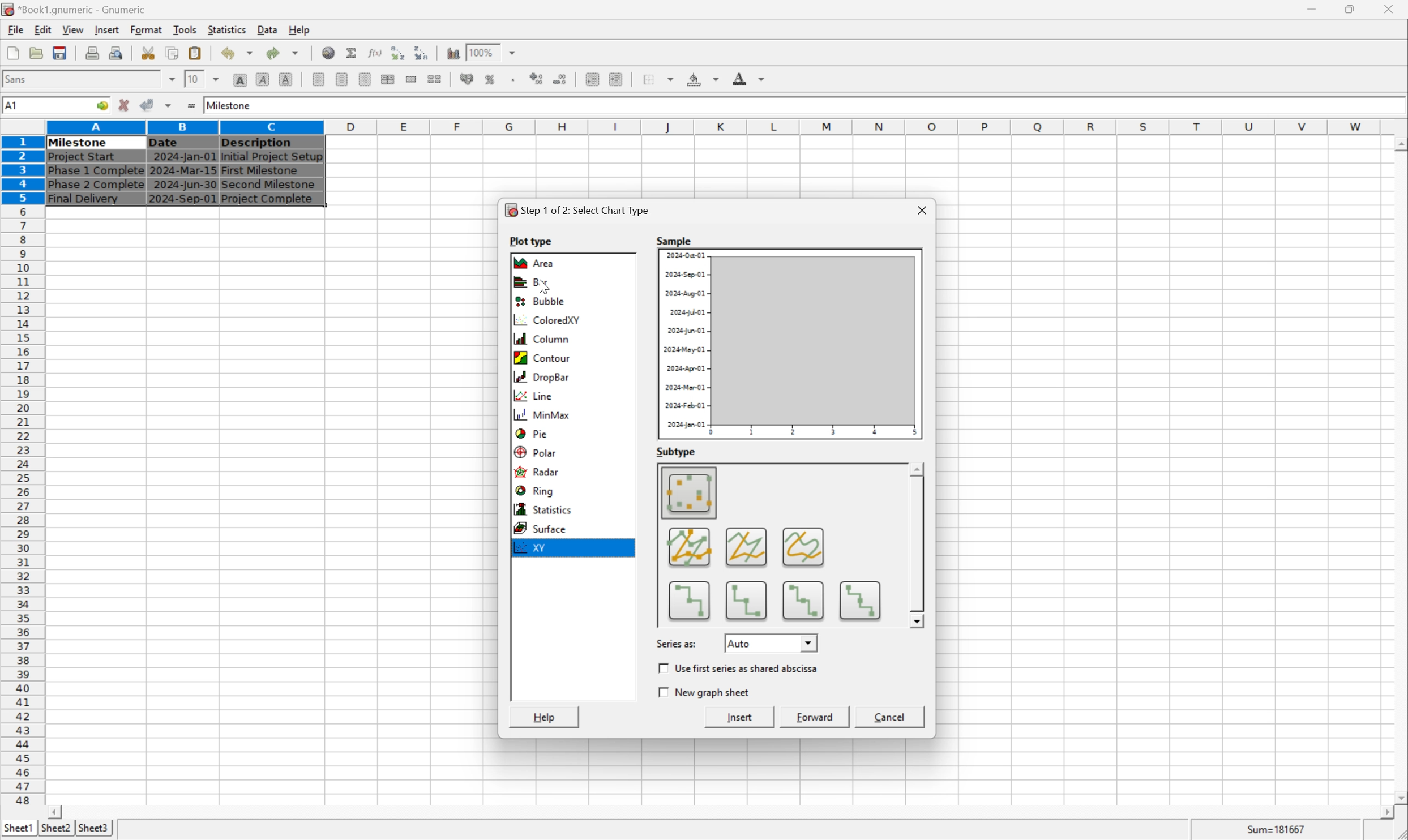 The height and width of the screenshot is (840, 1408). Describe the element at coordinates (891, 718) in the screenshot. I see `cancel` at that location.